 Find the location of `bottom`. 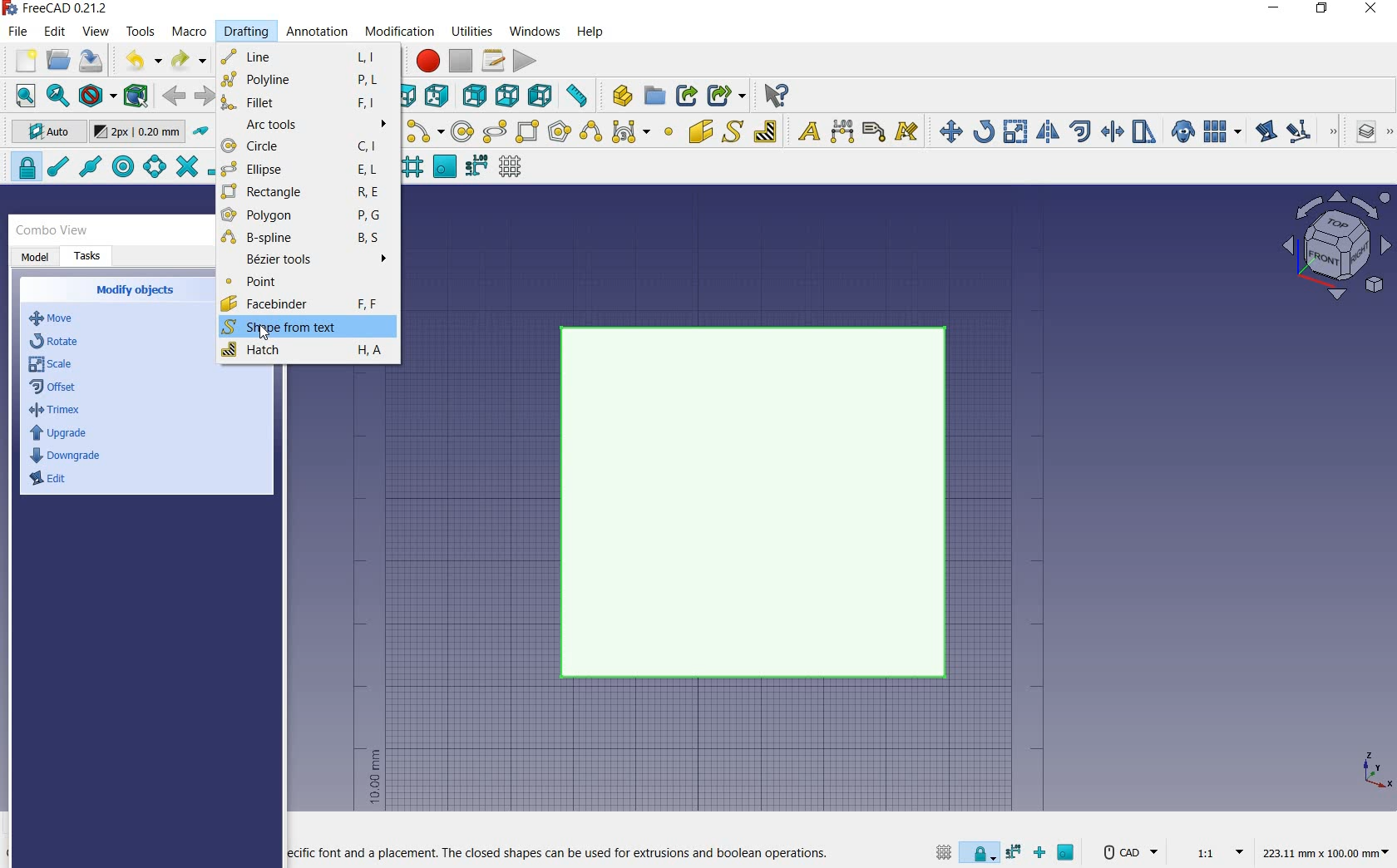

bottom is located at coordinates (509, 96).